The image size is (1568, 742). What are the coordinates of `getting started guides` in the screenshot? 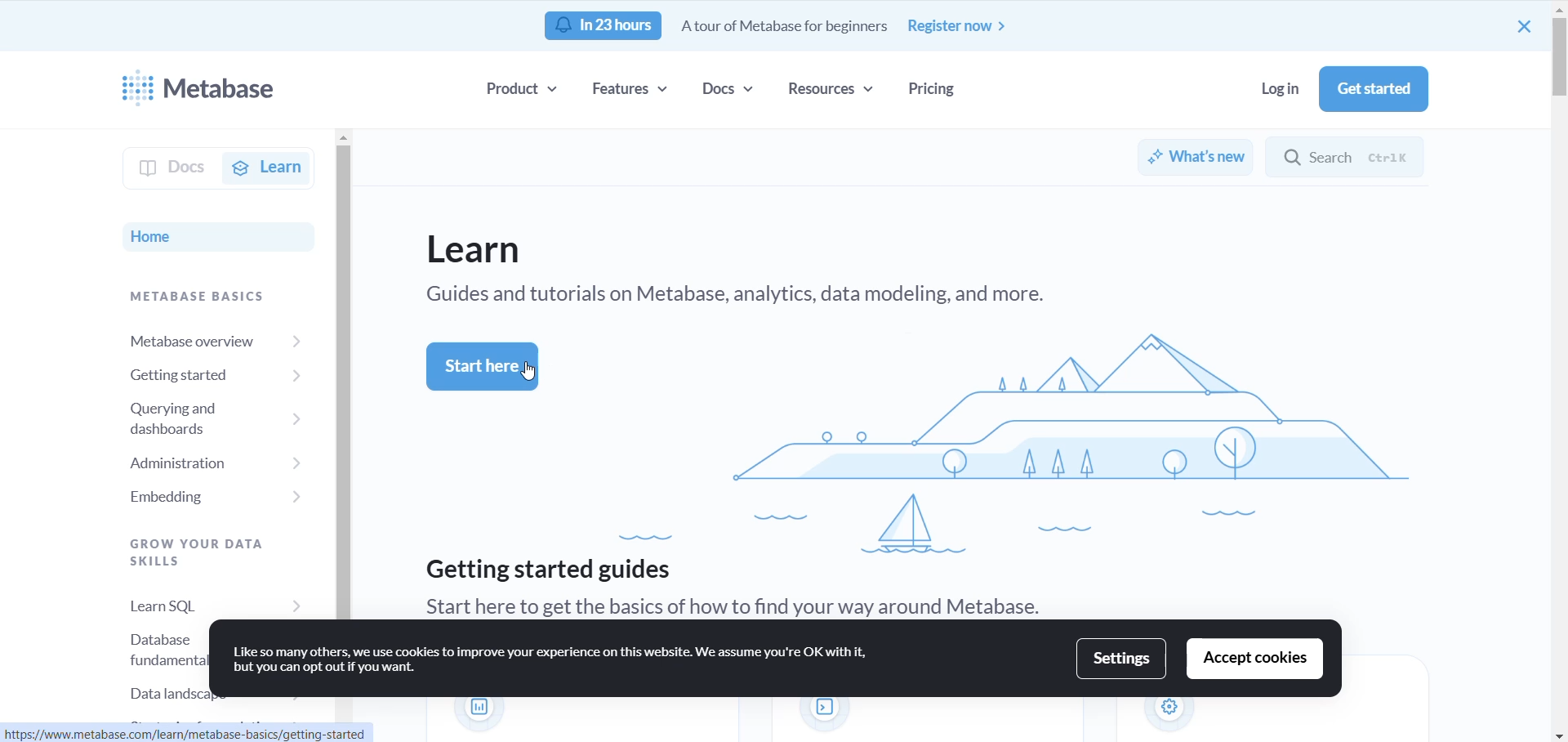 It's located at (550, 570).